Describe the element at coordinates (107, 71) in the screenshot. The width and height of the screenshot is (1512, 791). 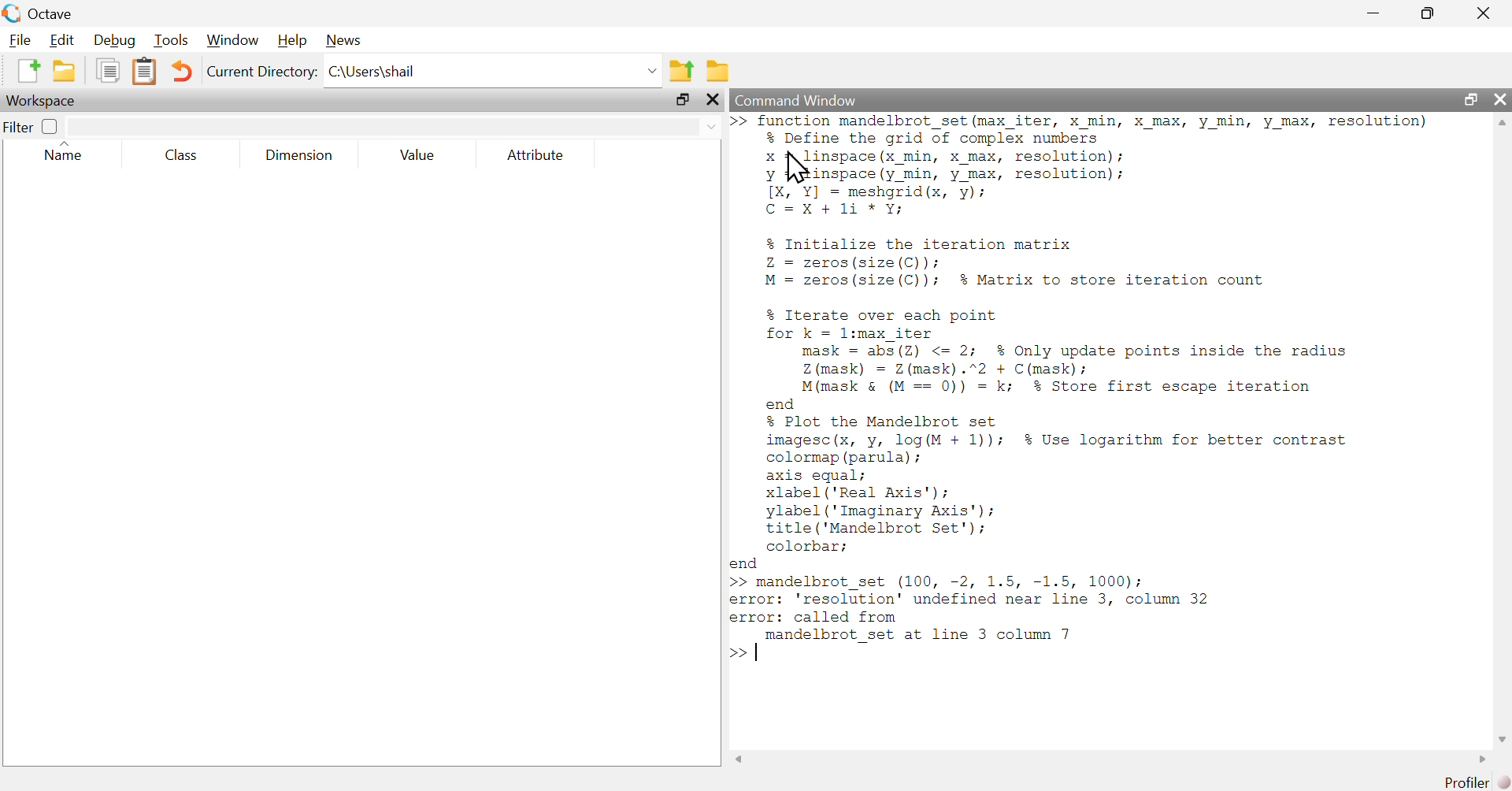
I see `copy` at that location.